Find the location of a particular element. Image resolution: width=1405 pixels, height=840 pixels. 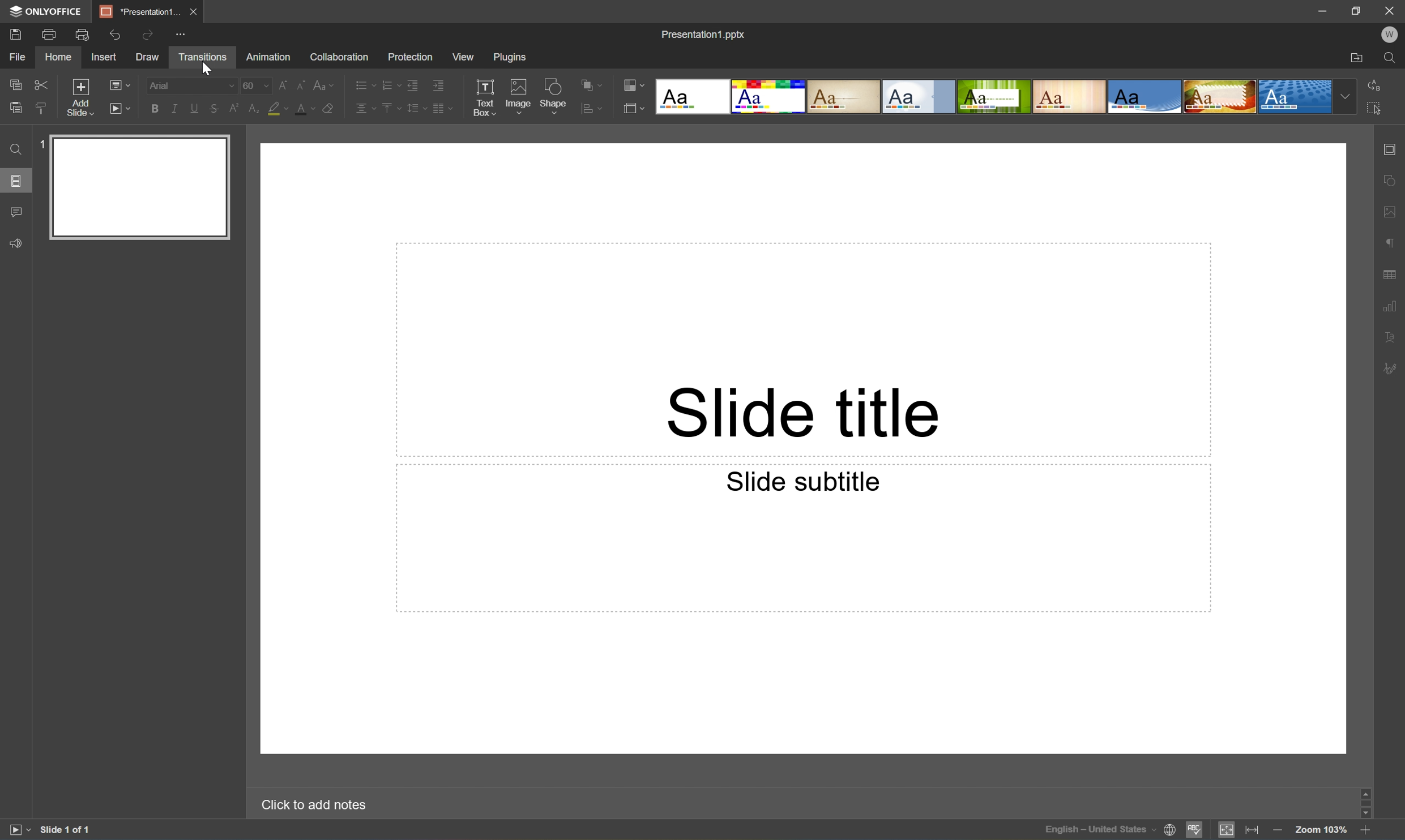

Presentation1.pptx is located at coordinates (703, 34).